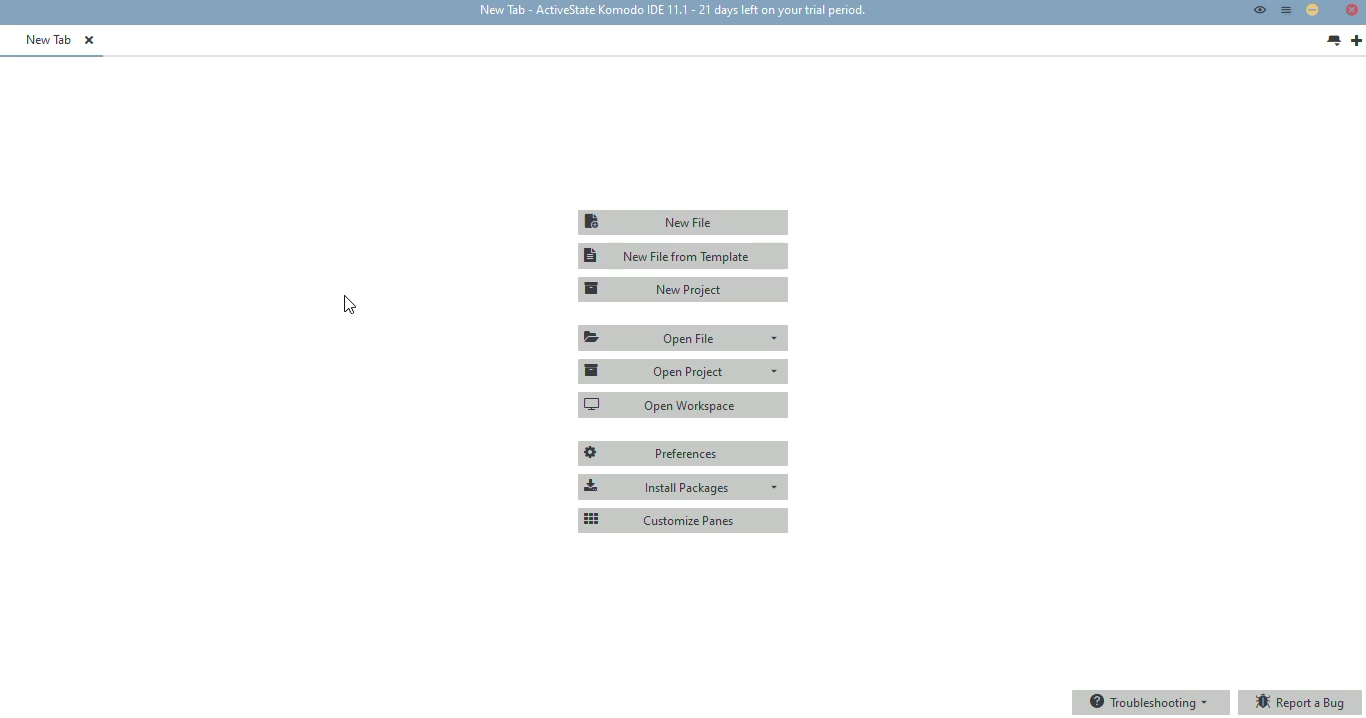 The height and width of the screenshot is (718, 1366). I want to click on report a bug, so click(1301, 703).